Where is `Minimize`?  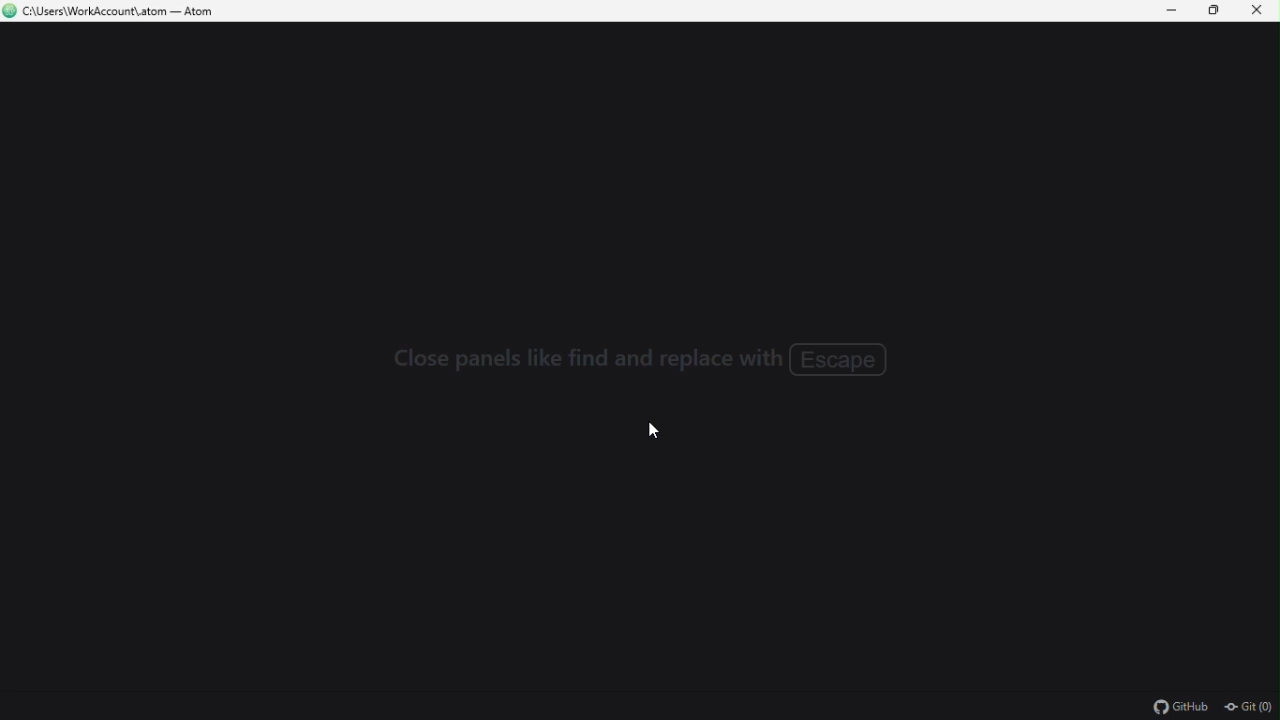 Minimize is located at coordinates (1167, 13).